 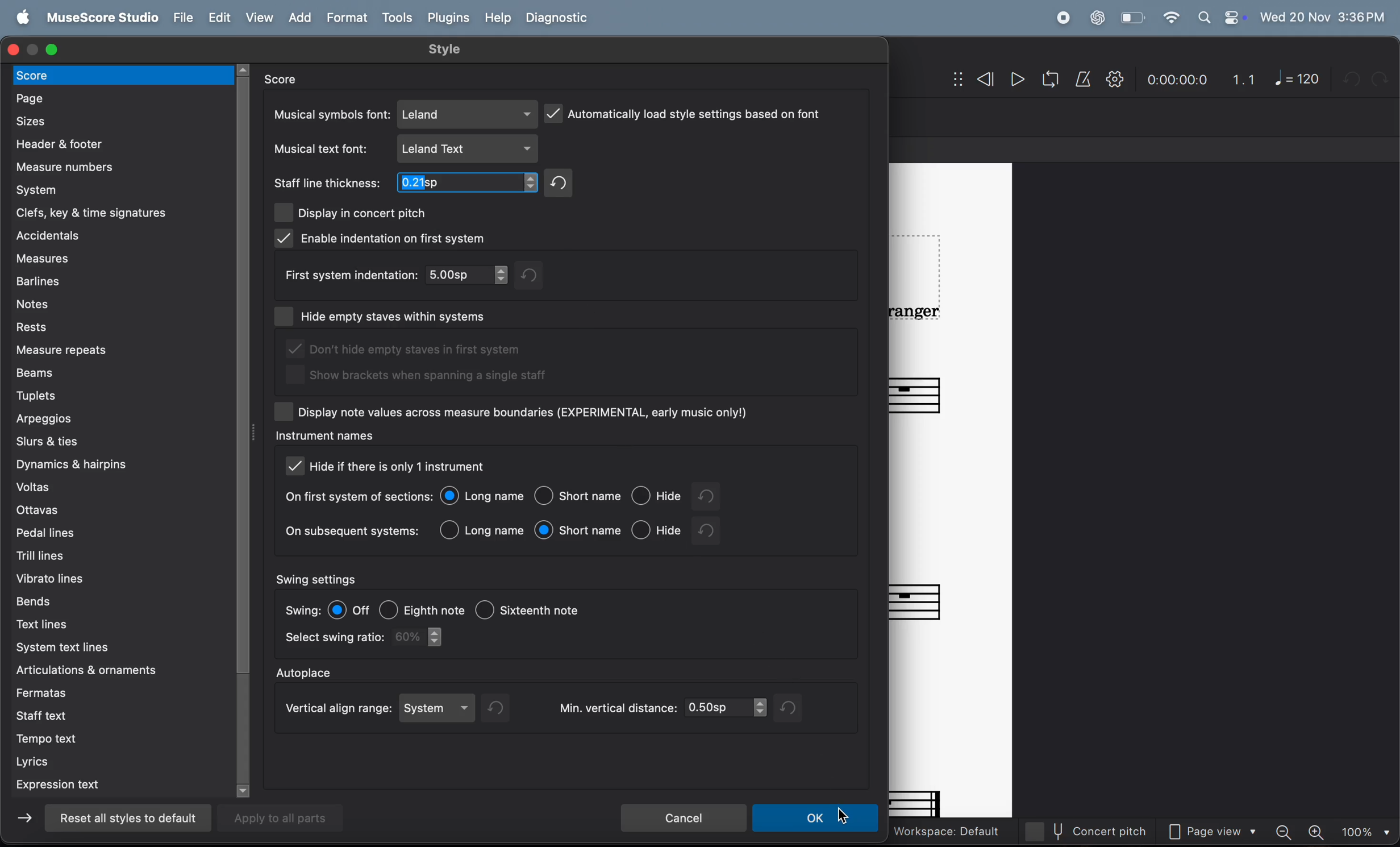 I want to click on redo, so click(x=717, y=496).